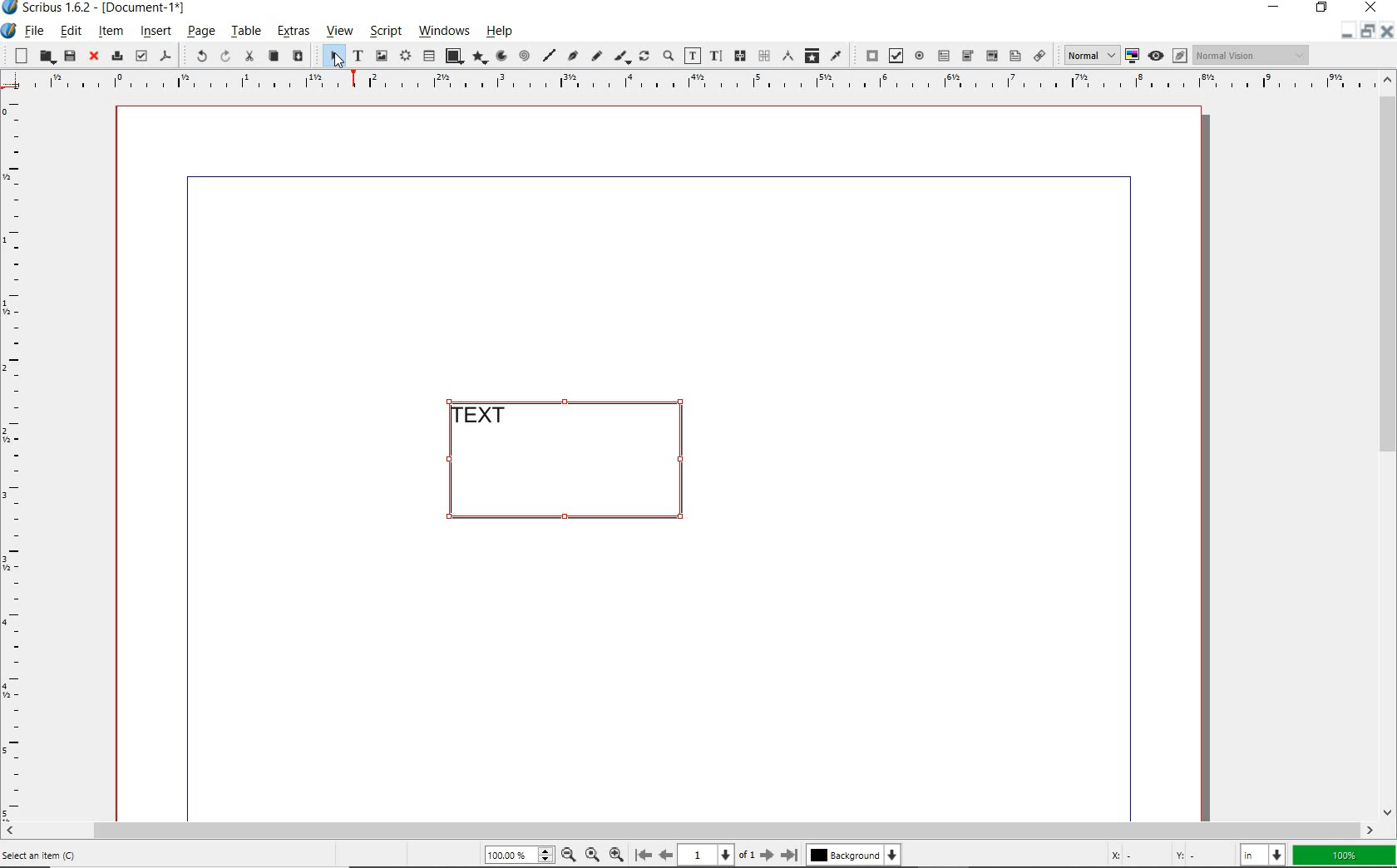 The width and height of the screenshot is (1397, 868). What do you see at coordinates (116, 57) in the screenshot?
I see `print` at bounding box center [116, 57].